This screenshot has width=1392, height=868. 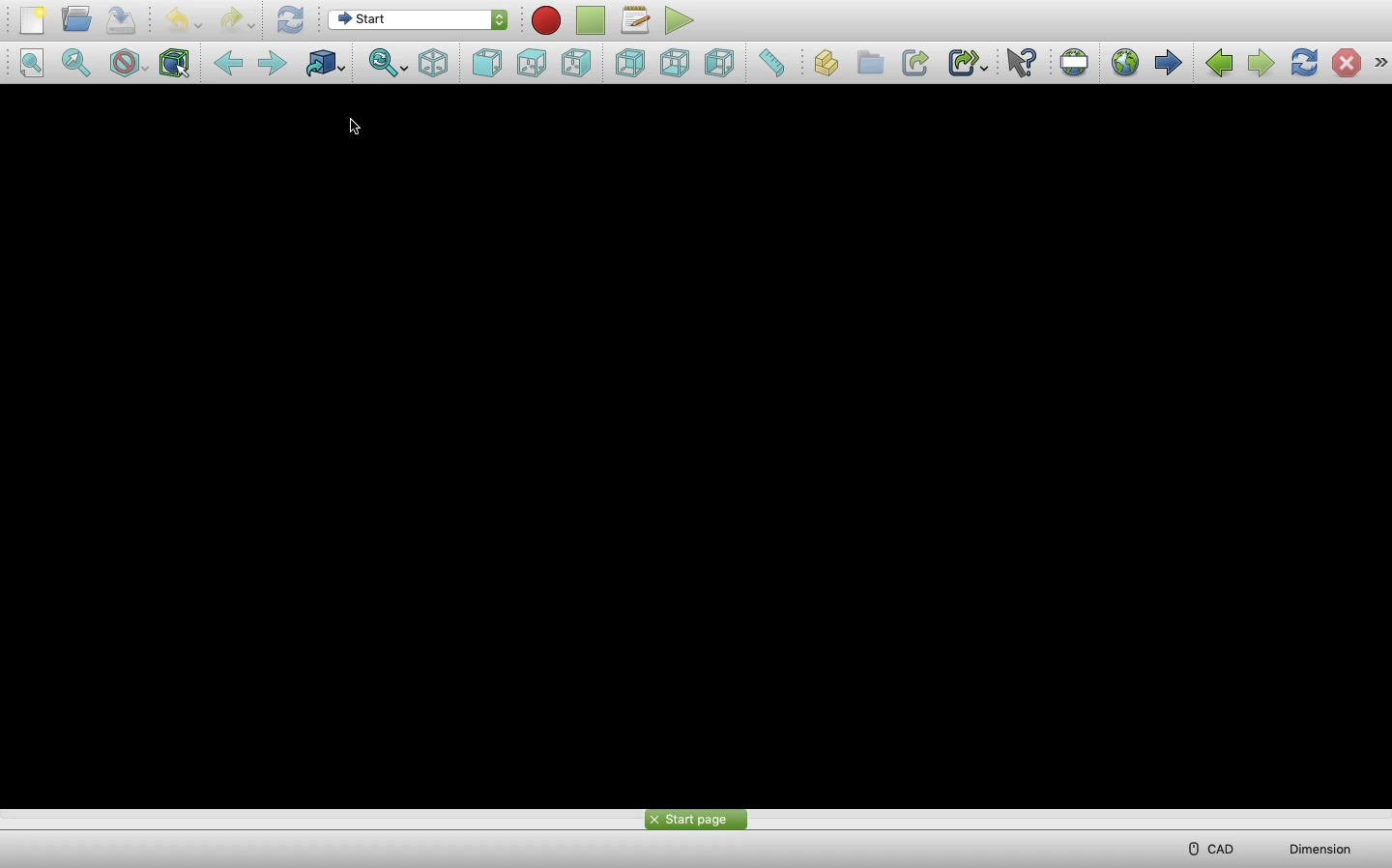 I want to click on Record Macro, so click(x=546, y=20).